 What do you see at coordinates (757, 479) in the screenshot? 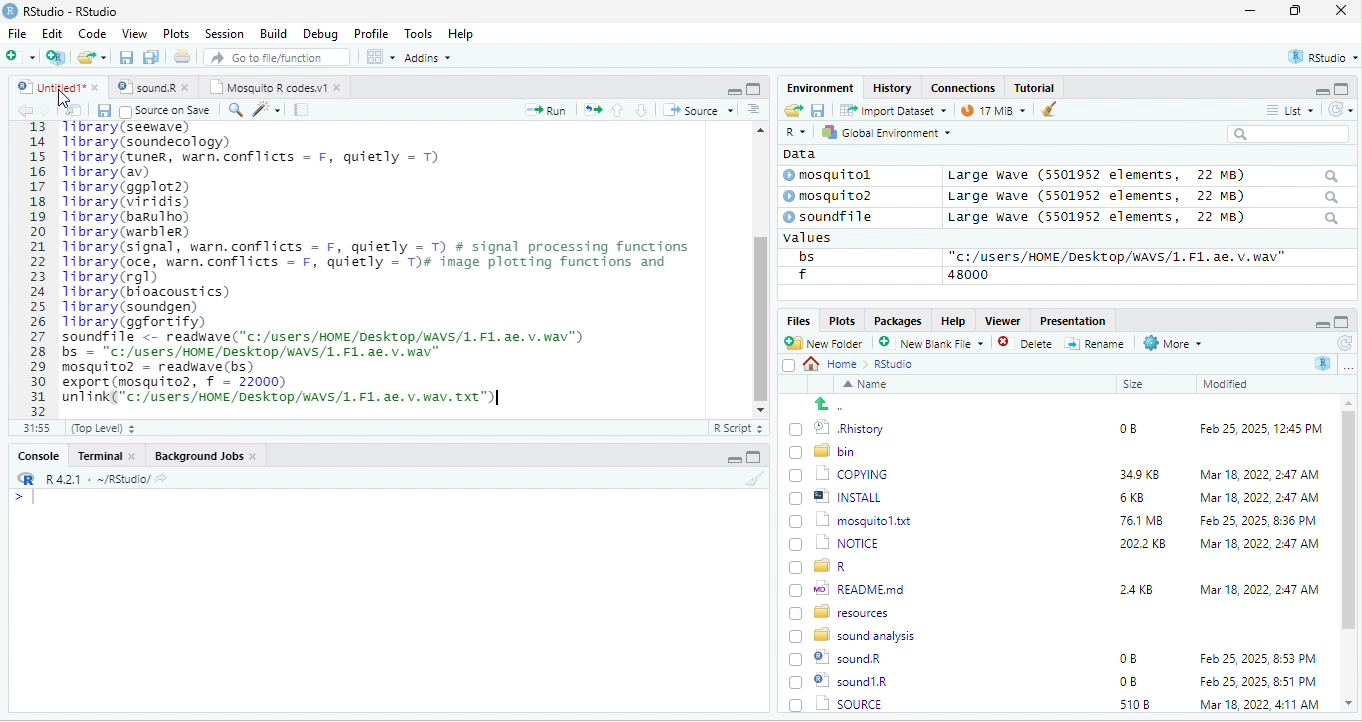
I see `brush` at bounding box center [757, 479].